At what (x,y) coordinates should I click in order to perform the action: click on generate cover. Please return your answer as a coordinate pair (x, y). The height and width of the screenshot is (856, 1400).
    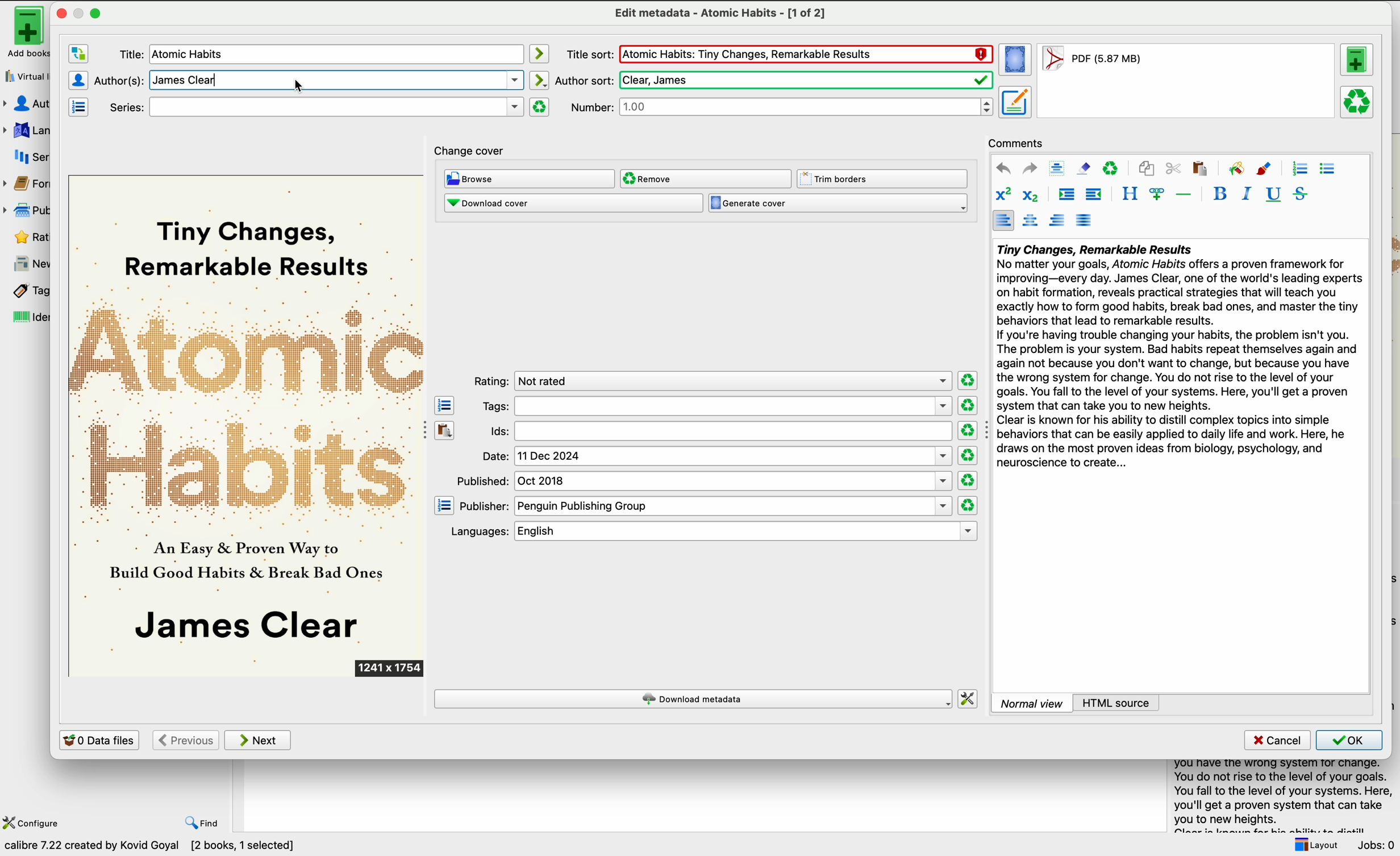
    Looking at the image, I should click on (838, 203).